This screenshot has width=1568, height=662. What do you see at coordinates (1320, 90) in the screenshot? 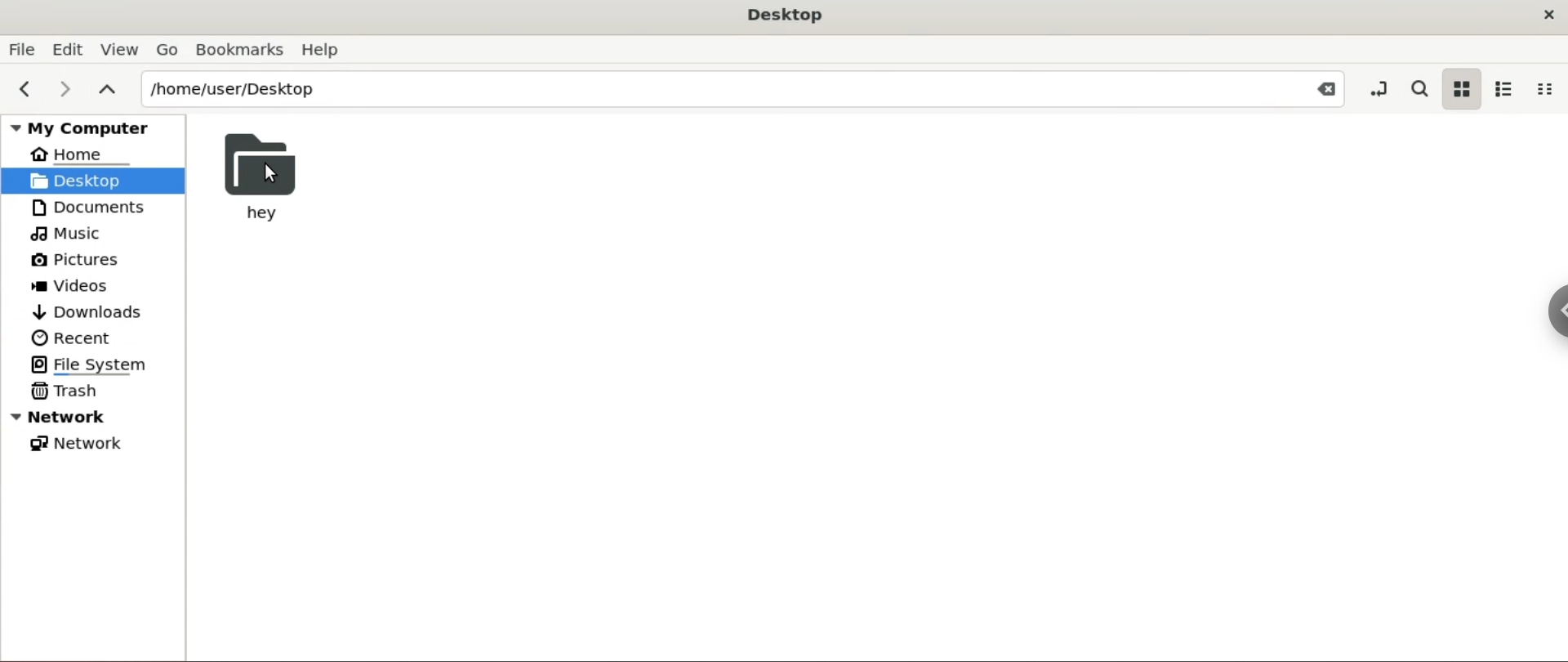
I see `Close` at bounding box center [1320, 90].